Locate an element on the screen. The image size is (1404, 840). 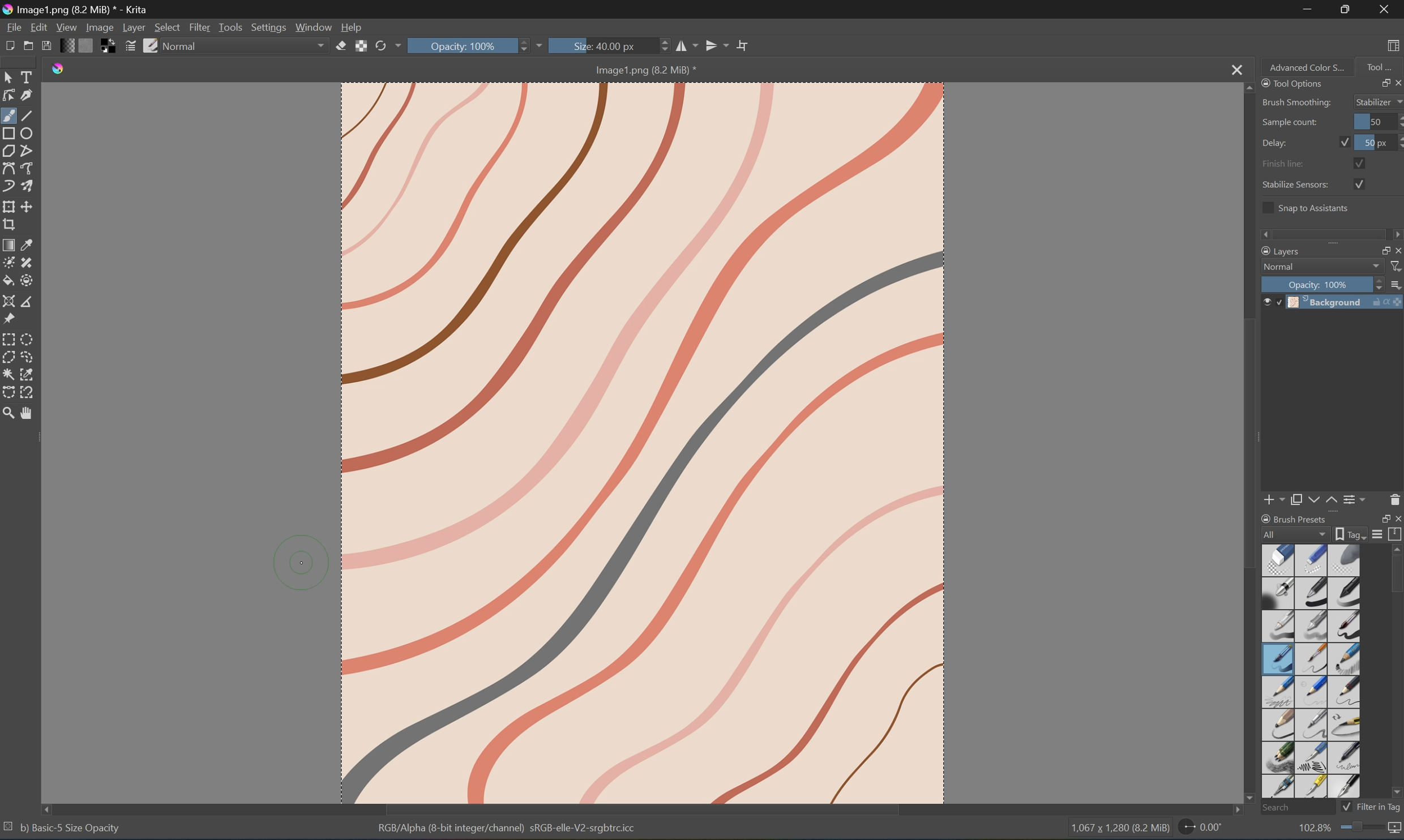
Krita is located at coordinates (59, 70).